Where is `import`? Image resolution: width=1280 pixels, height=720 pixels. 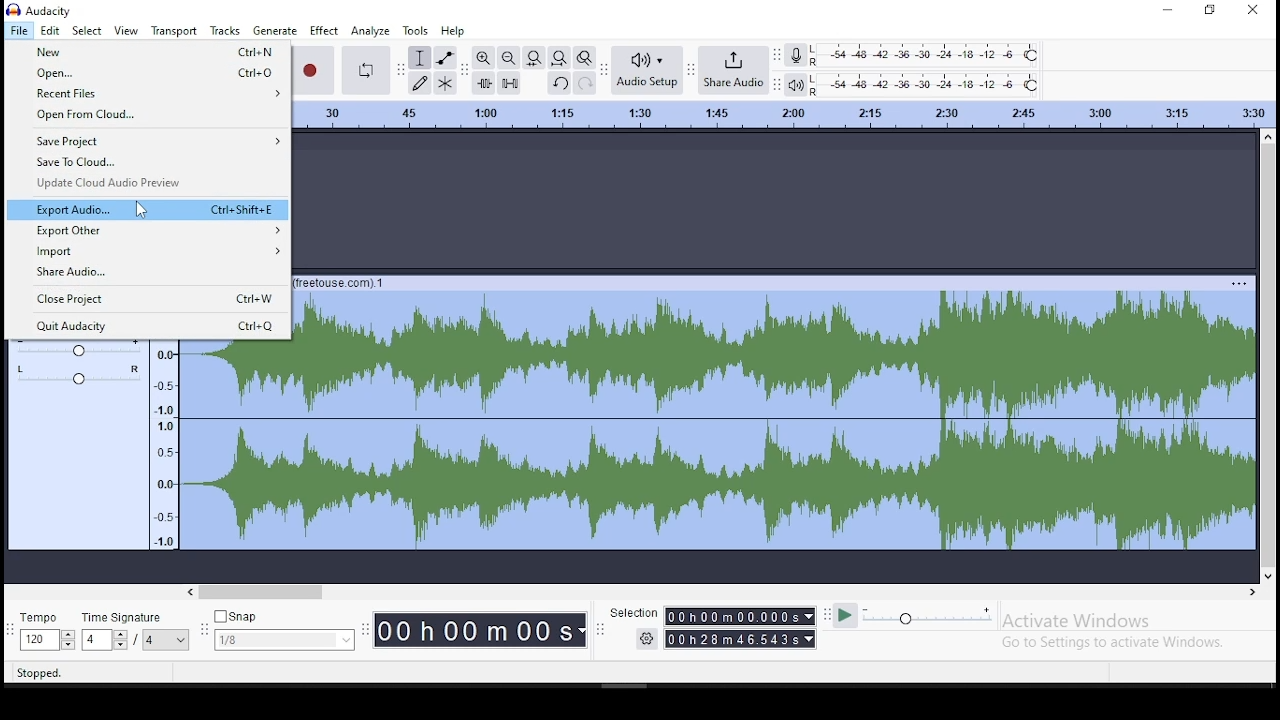
import is located at coordinates (150, 253).